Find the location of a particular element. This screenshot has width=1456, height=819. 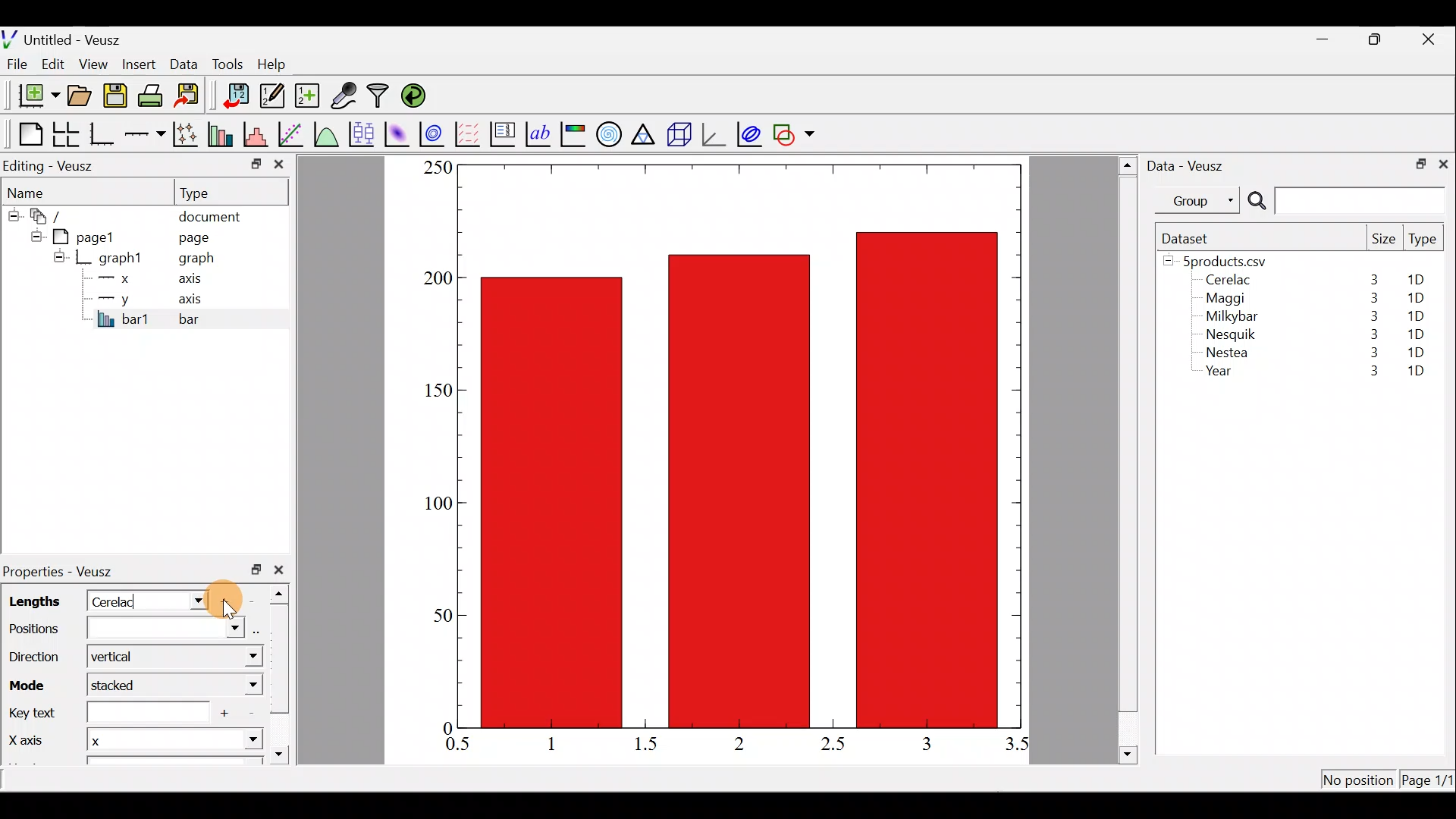

3.5 is located at coordinates (1018, 747).